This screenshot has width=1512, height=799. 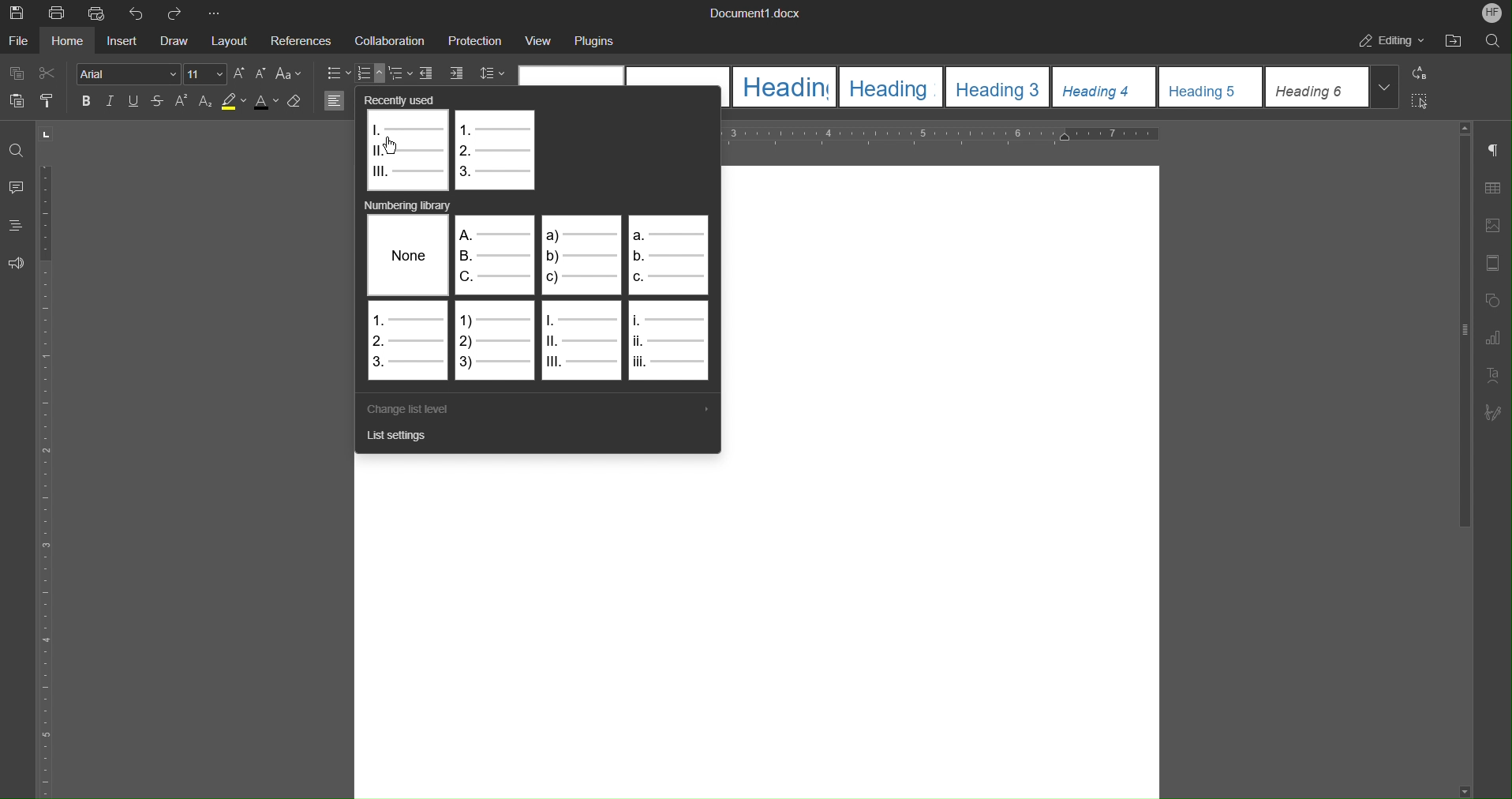 What do you see at coordinates (891, 85) in the screenshot?
I see `Heading 2` at bounding box center [891, 85].